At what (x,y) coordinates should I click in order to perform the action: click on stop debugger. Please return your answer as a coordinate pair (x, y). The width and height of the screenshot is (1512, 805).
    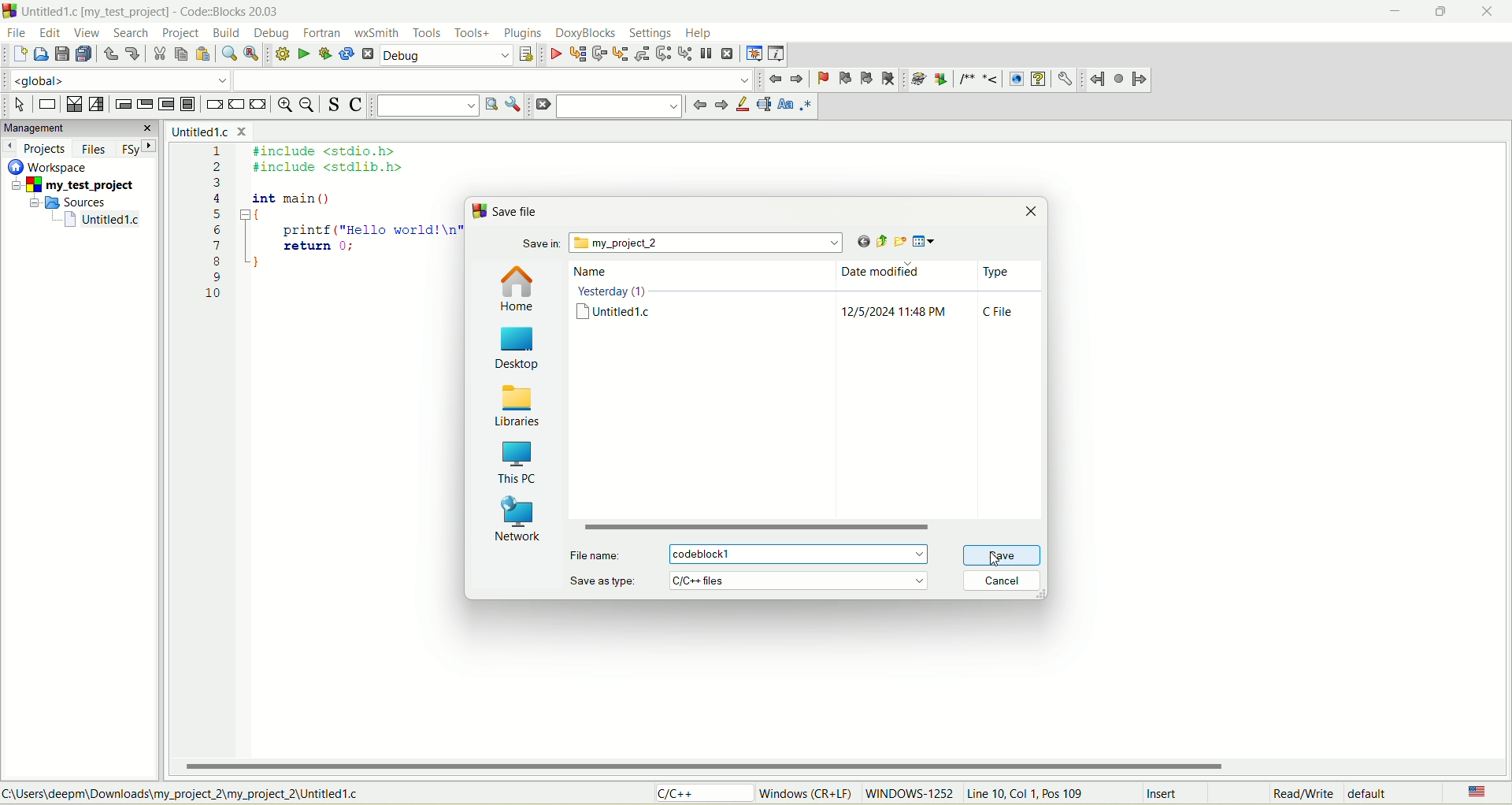
    Looking at the image, I should click on (728, 54).